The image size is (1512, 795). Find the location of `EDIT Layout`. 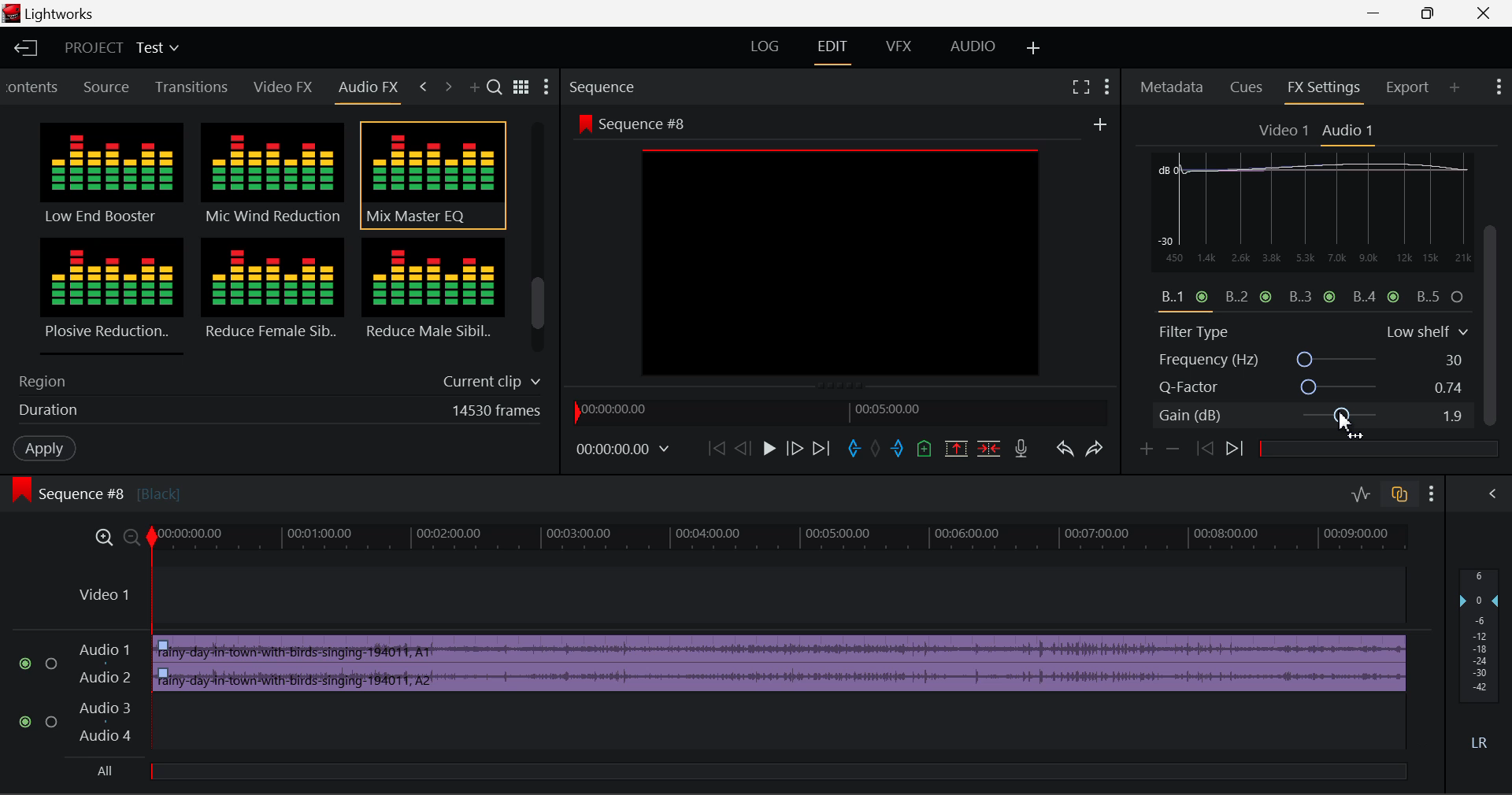

EDIT Layout is located at coordinates (838, 51).